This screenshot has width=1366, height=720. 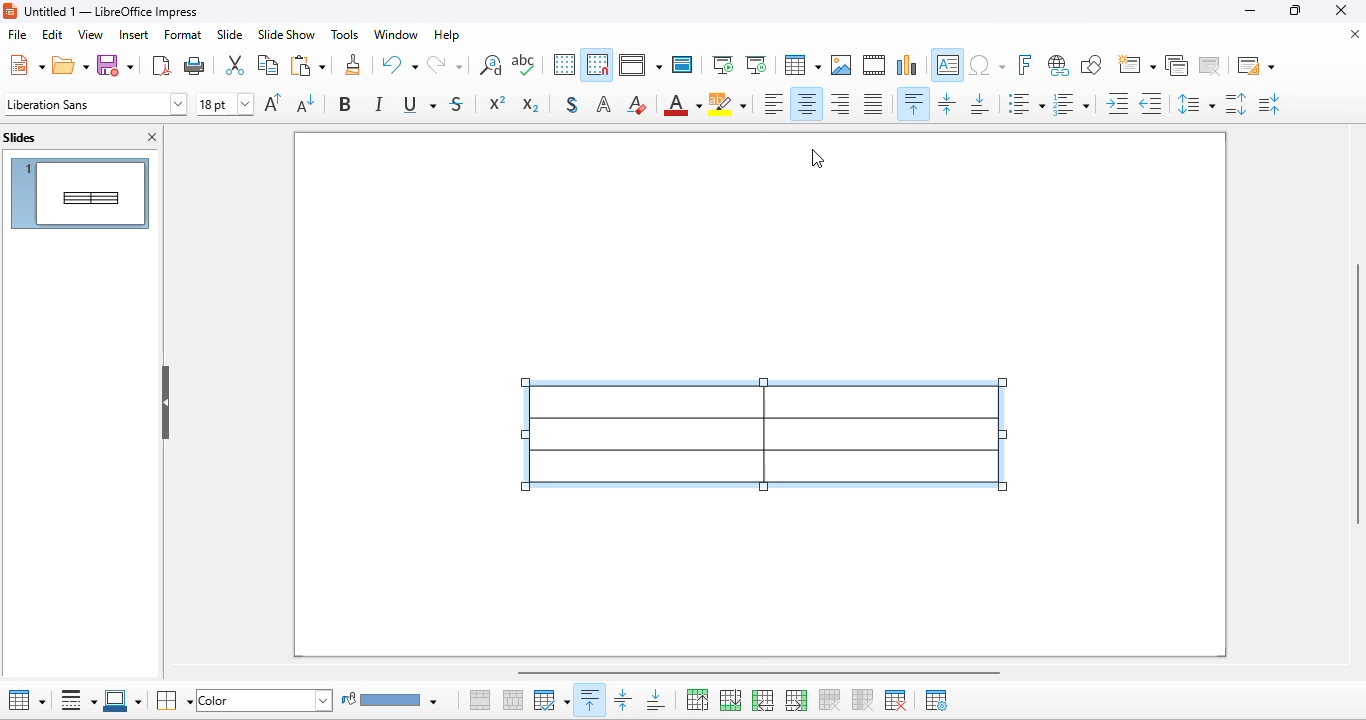 What do you see at coordinates (1271, 103) in the screenshot?
I see `decrease paragraph spacing` at bounding box center [1271, 103].